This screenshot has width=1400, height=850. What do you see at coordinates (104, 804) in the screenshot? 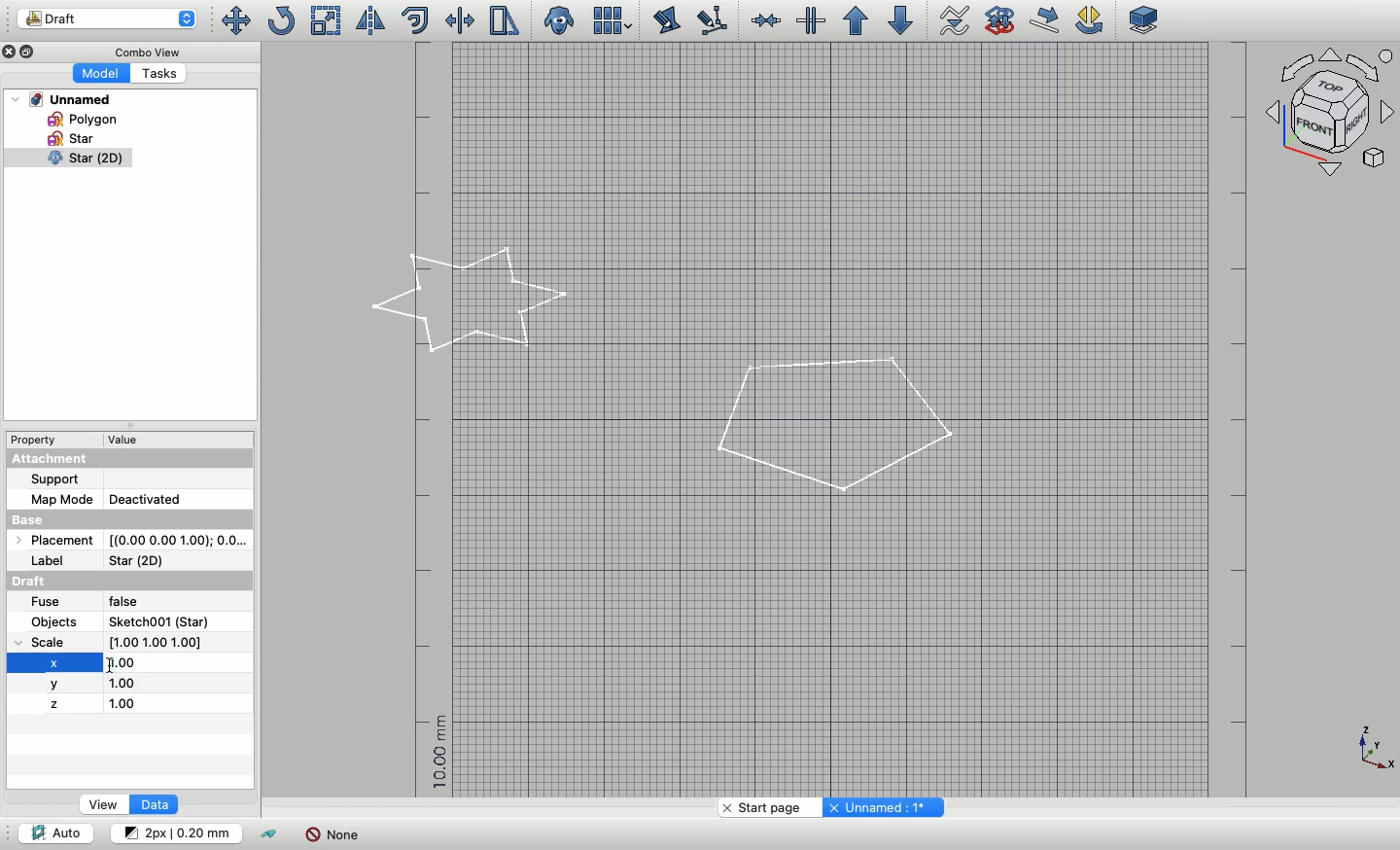
I see `View` at bounding box center [104, 804].